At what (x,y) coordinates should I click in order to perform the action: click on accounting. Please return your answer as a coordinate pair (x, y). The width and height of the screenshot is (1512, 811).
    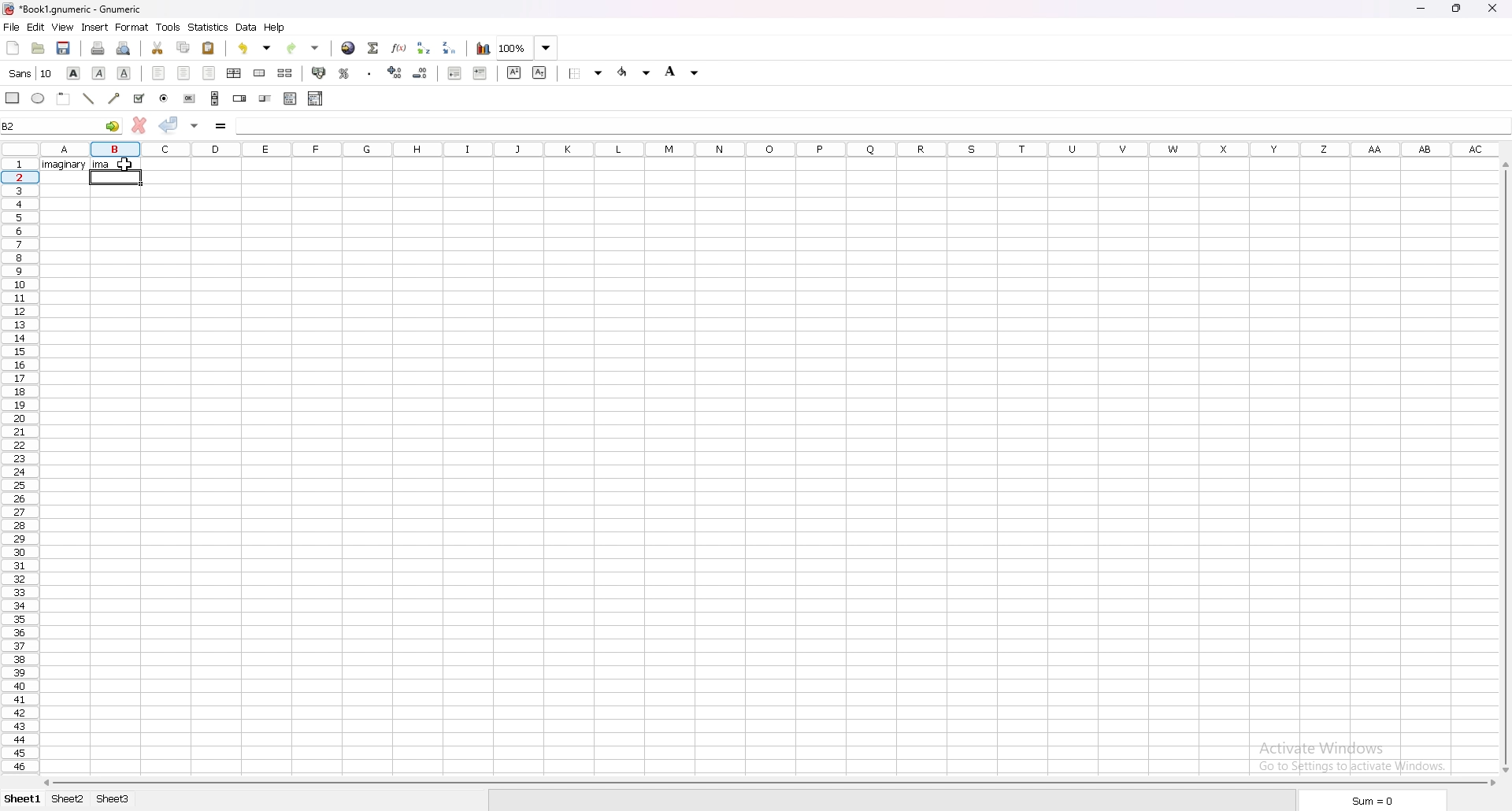
    Looking at the image, I should click on (319, 72).